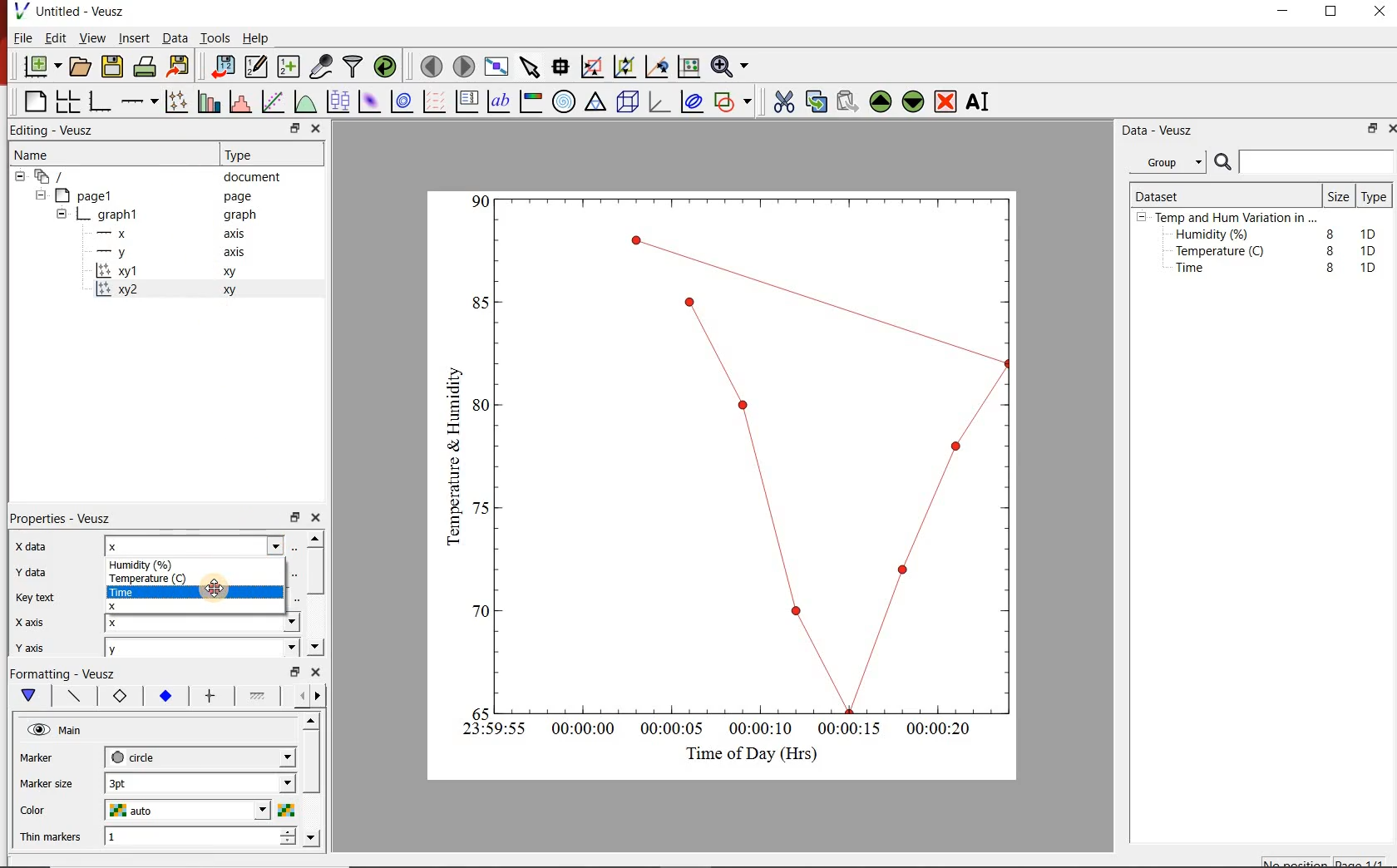 This screenshot has height=868, width=1397. Describe the element at coordinates (1171, 159) in the screenshot. I see `Group.` at that location.